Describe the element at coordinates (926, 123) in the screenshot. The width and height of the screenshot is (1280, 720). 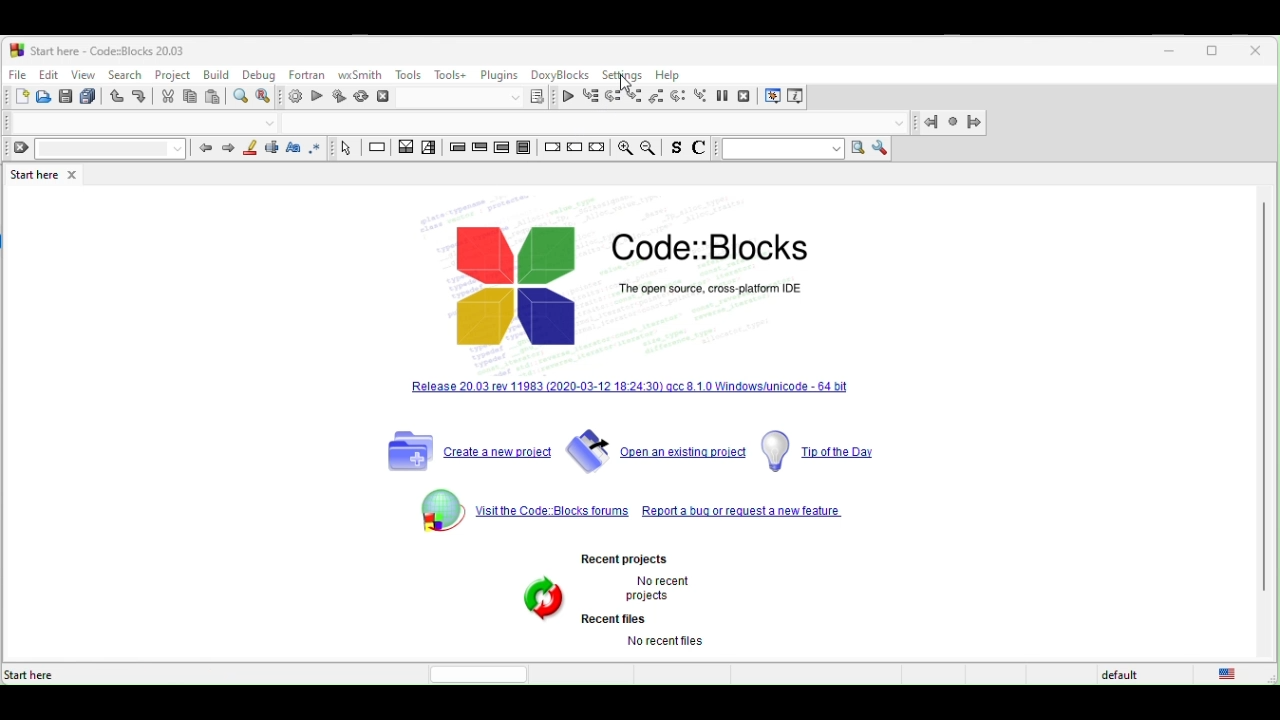
I see `jump back` at that location.